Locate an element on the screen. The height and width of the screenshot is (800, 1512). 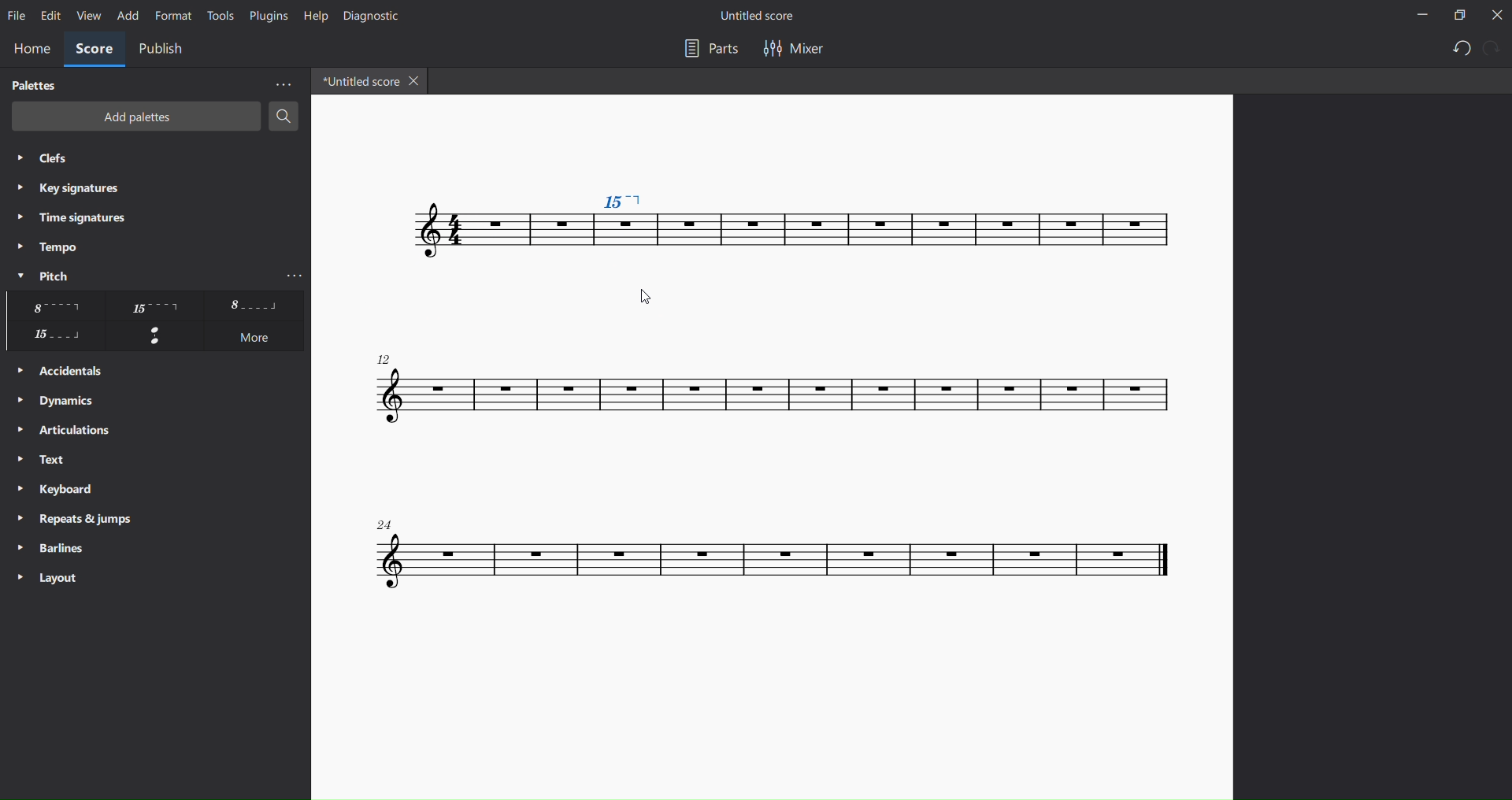
more pitch options is located at coordinates (295, 275).